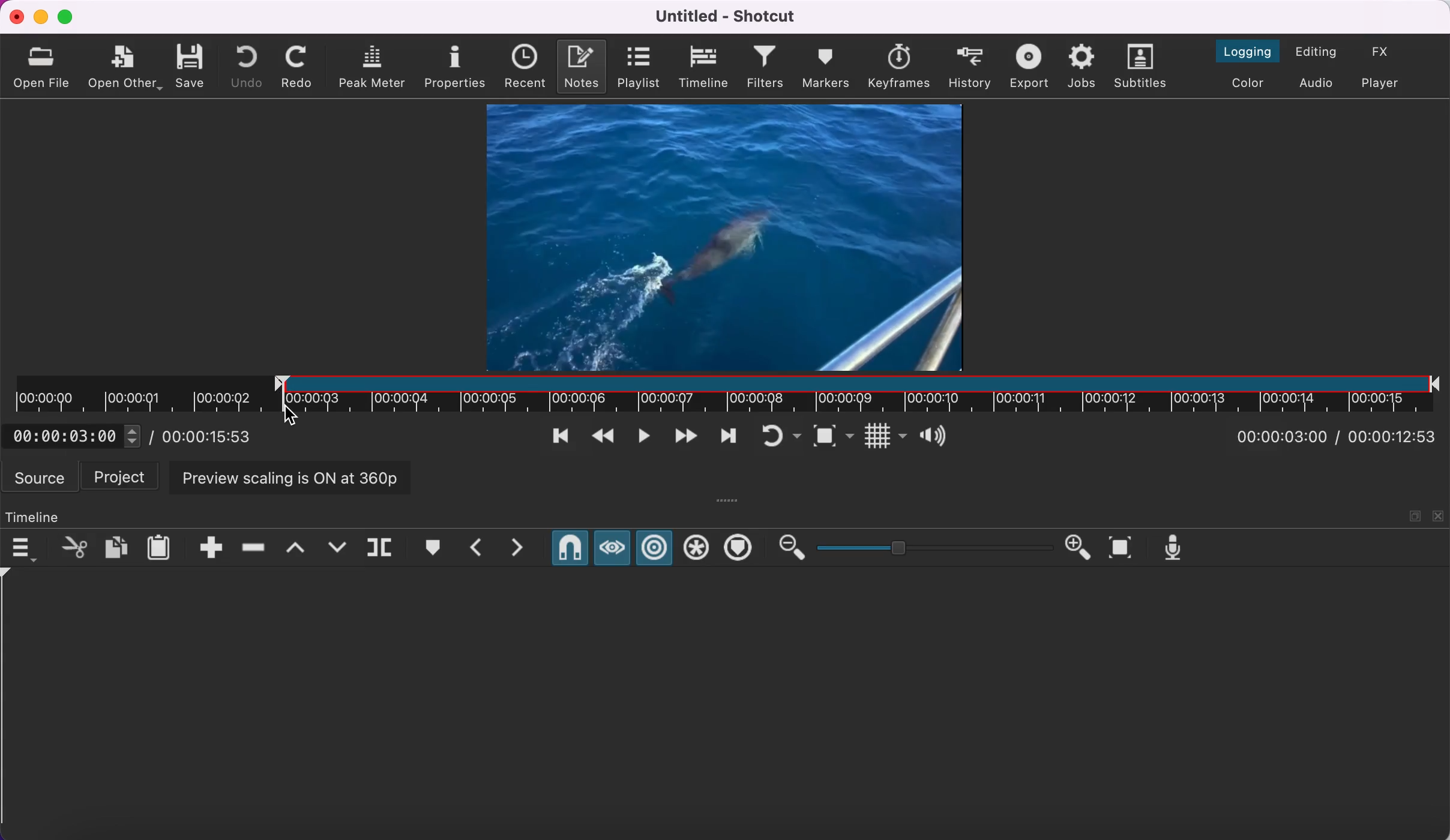  What do you see at coordinates (728, 436) in the screenshot?
I see `skip to next point` at bounding box center [728, 436].